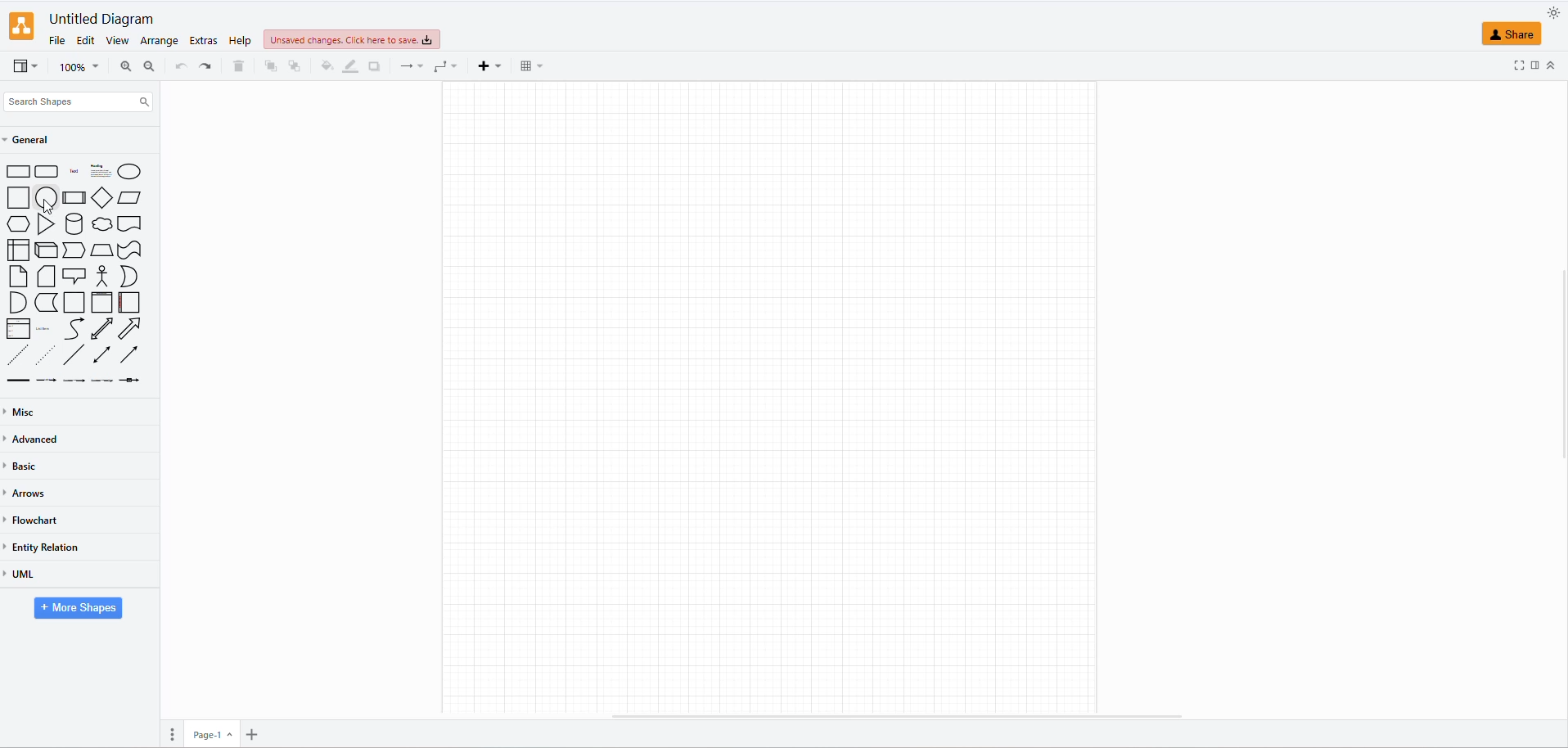 The width and height of the screenshot is (1568, 748). What do you see at coordinates (72, 248) in the screenshot?
I see `STEP` at bounding box center [72, 248].